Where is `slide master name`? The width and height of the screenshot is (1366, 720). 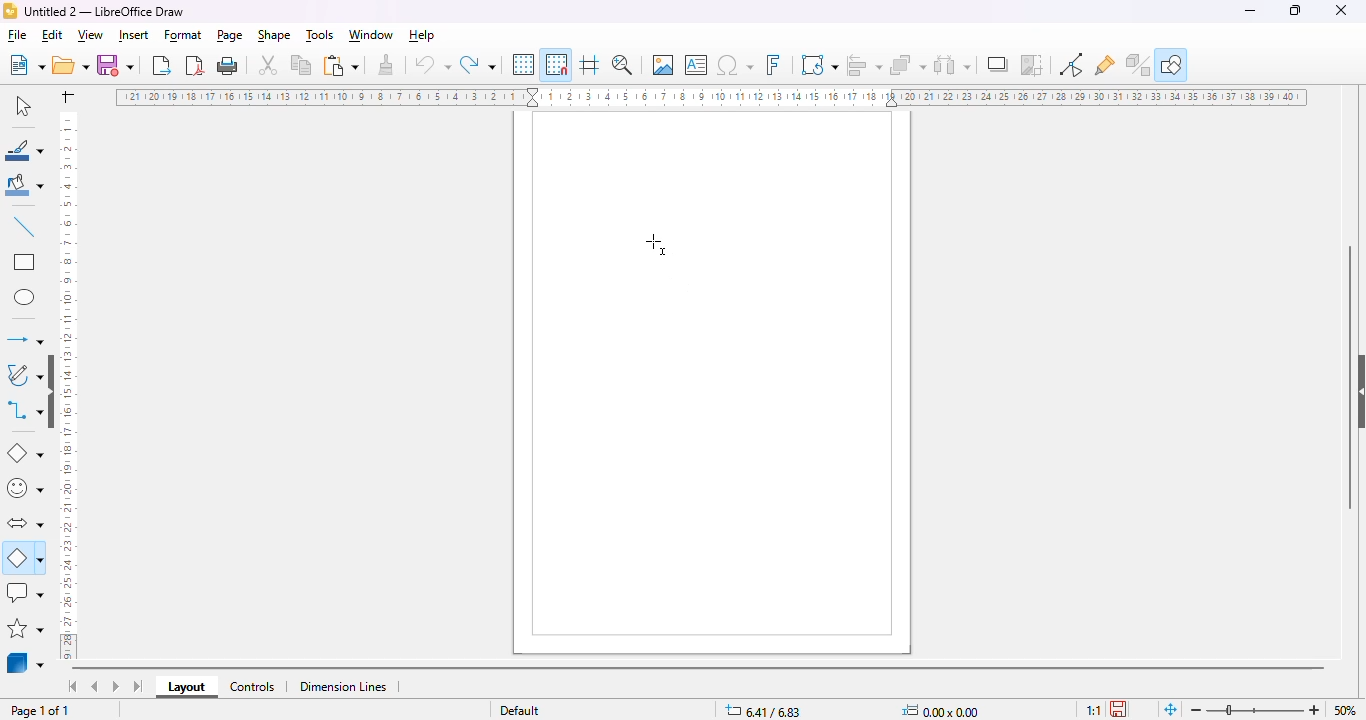 slide master name is located at coordinates (518, 711).